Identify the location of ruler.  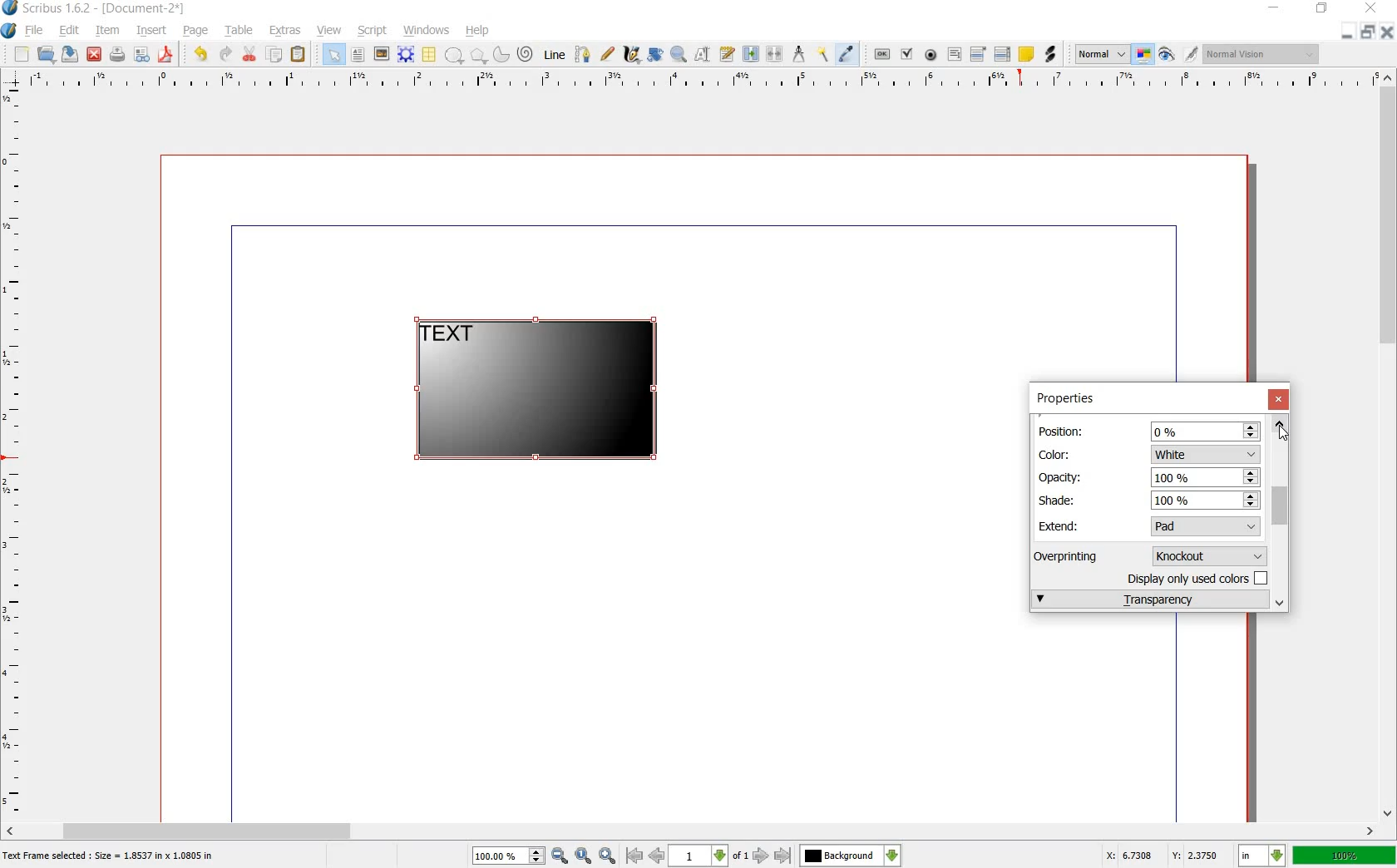
(14, 452).